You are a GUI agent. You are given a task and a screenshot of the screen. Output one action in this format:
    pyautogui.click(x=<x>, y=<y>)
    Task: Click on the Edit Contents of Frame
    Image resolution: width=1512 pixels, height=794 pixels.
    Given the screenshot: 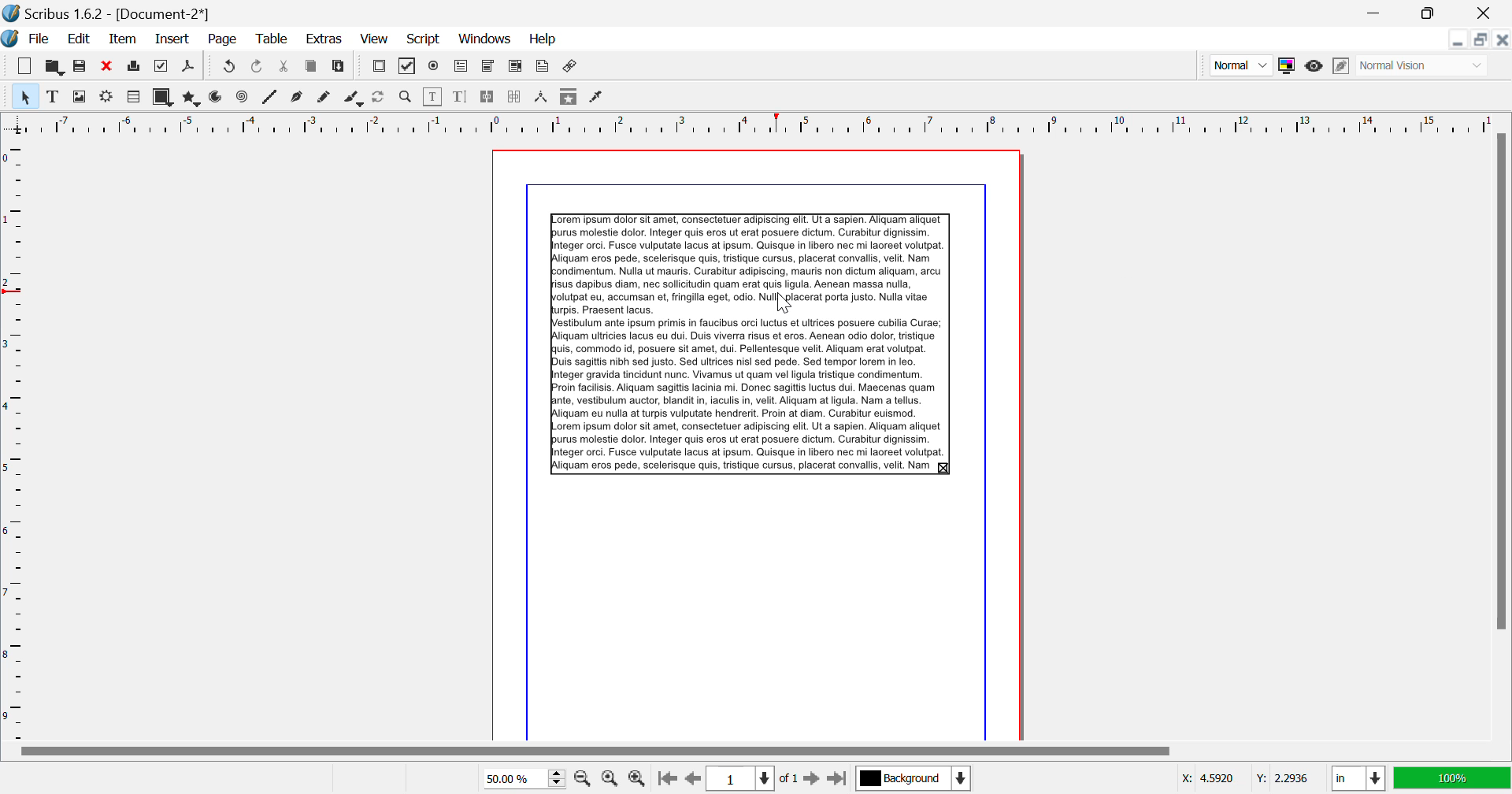 What is the action you would take?
    pyautogui.click(x=434, y=97)
    